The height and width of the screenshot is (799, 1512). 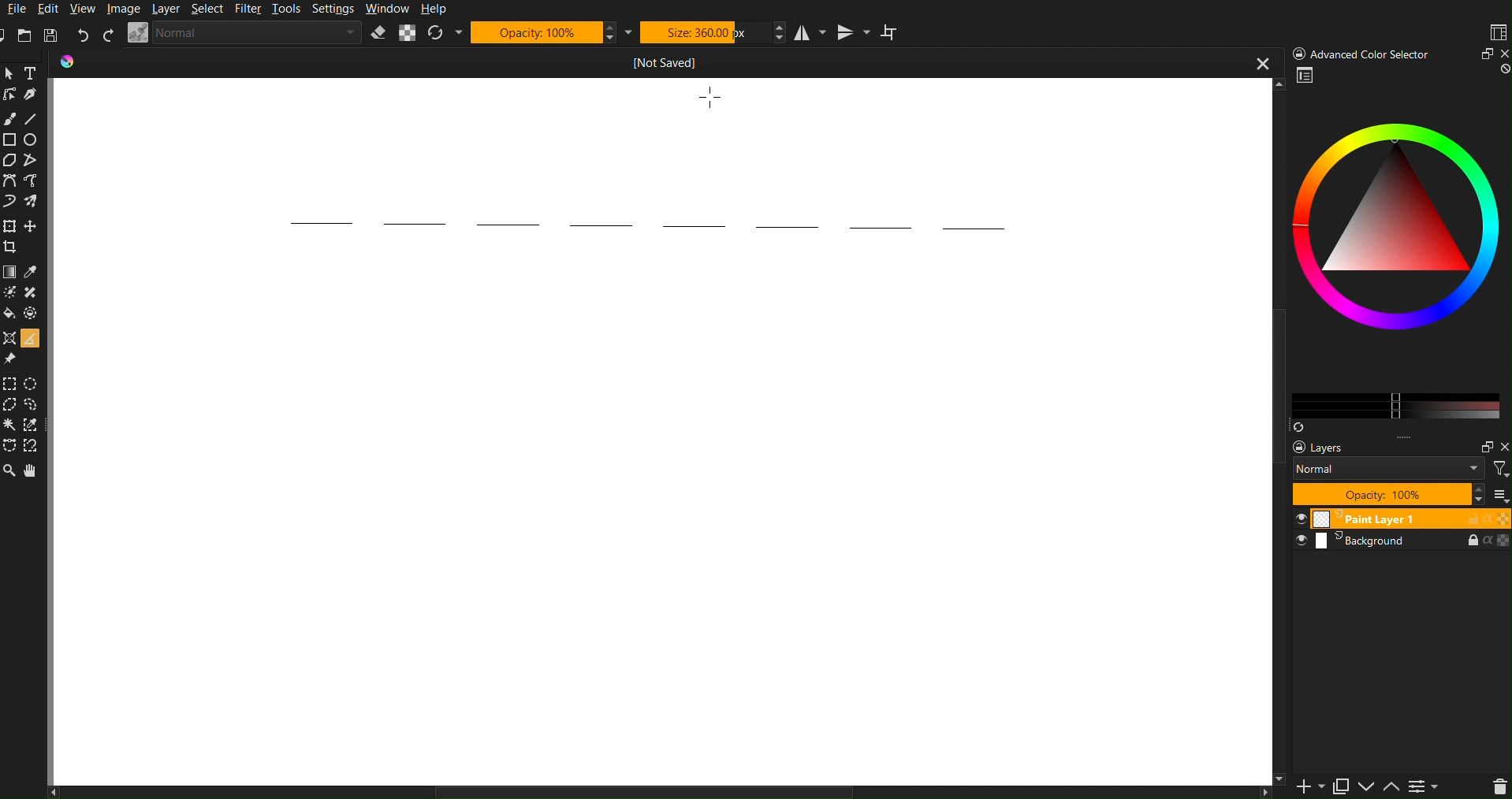 What do you see at coordinates (665, 523) in the screenshot?
I see `Workspace` at bounding box center [665, 523].